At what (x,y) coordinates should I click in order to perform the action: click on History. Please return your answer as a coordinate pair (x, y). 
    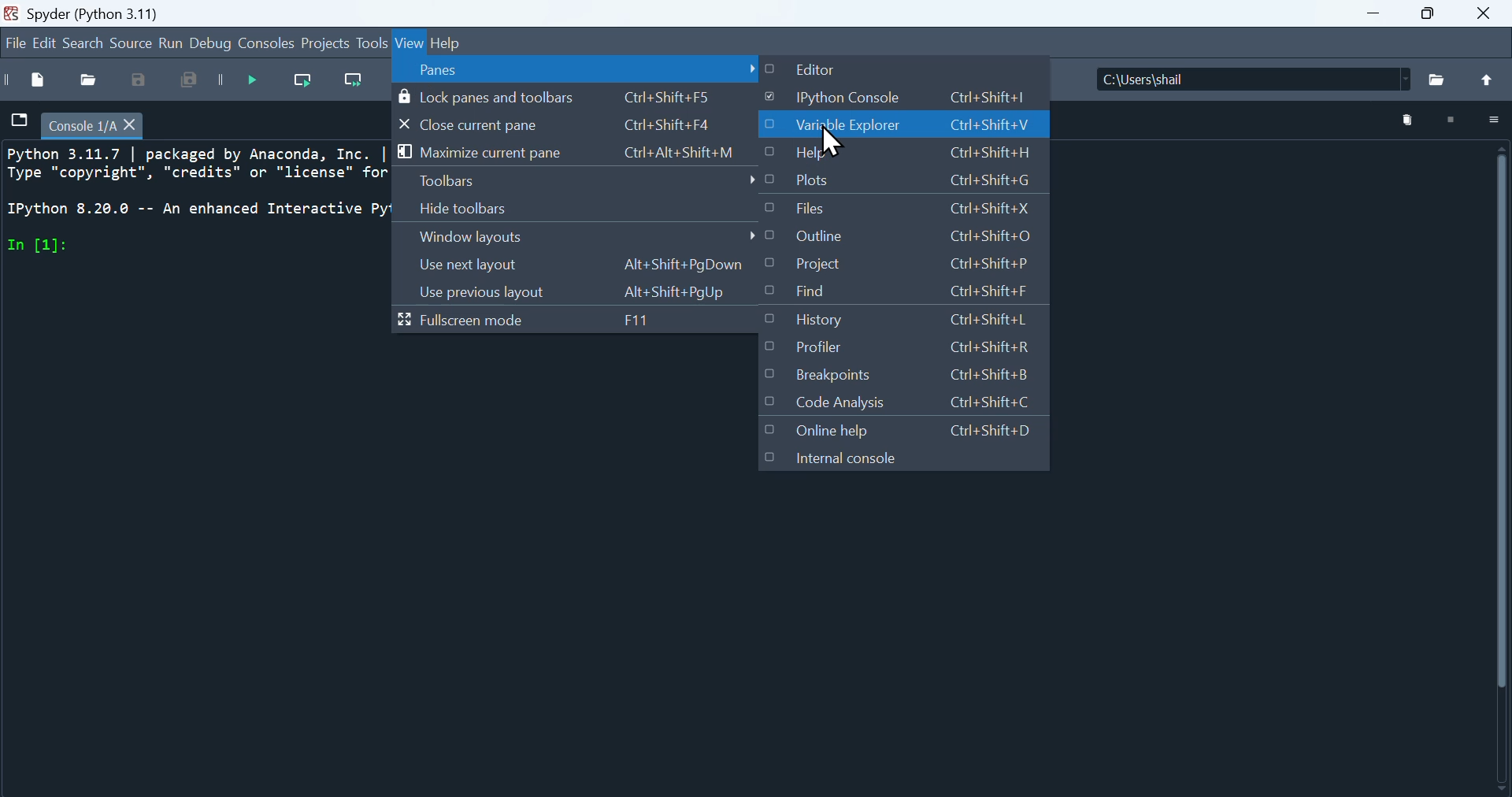
    Looking at the image, I should click on (902, 318).